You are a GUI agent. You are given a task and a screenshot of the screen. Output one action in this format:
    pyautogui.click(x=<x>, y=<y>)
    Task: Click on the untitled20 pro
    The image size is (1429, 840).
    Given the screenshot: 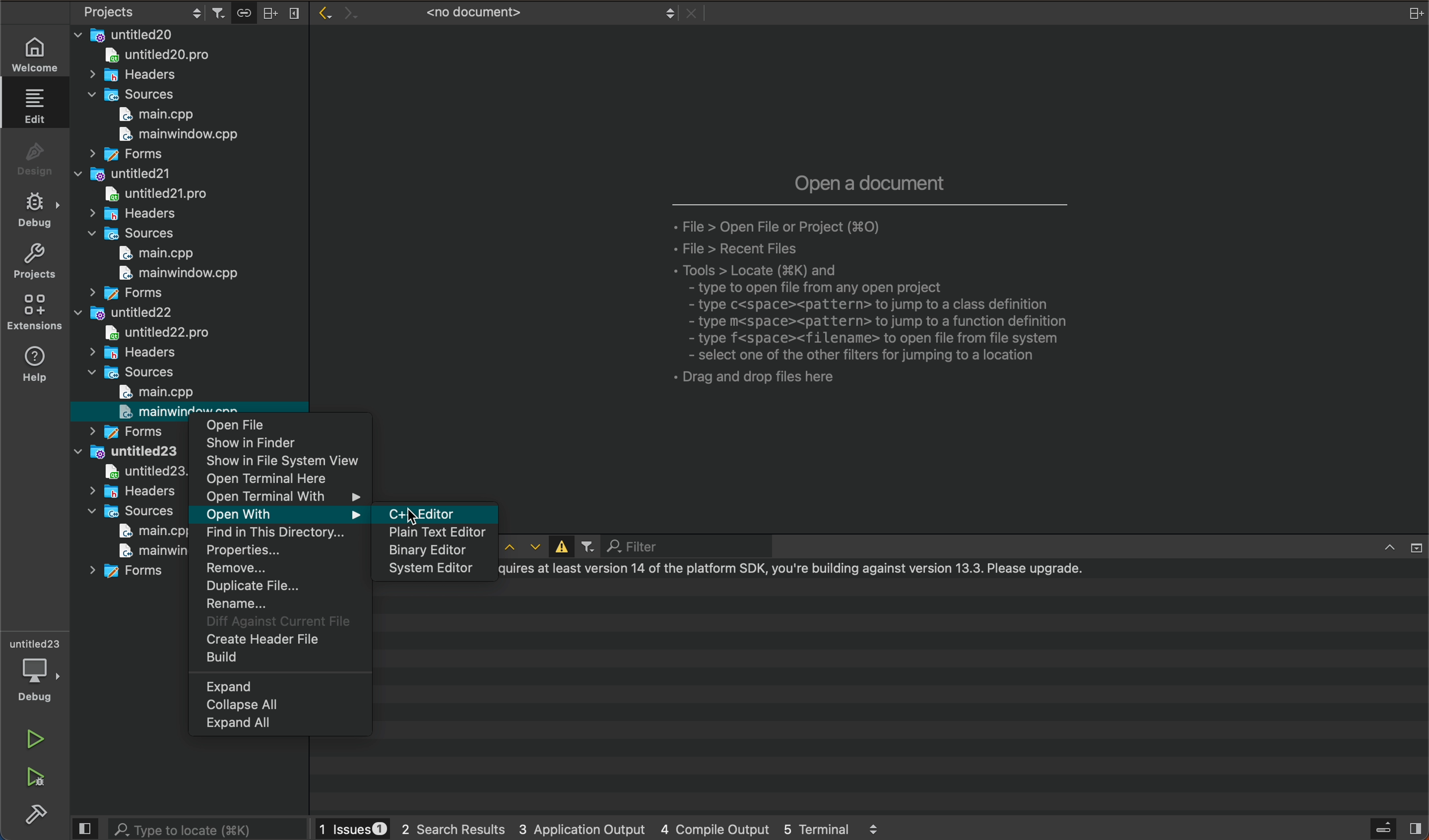 What is the action you would take?
    pyautogui.click(x=164, y=57)
    